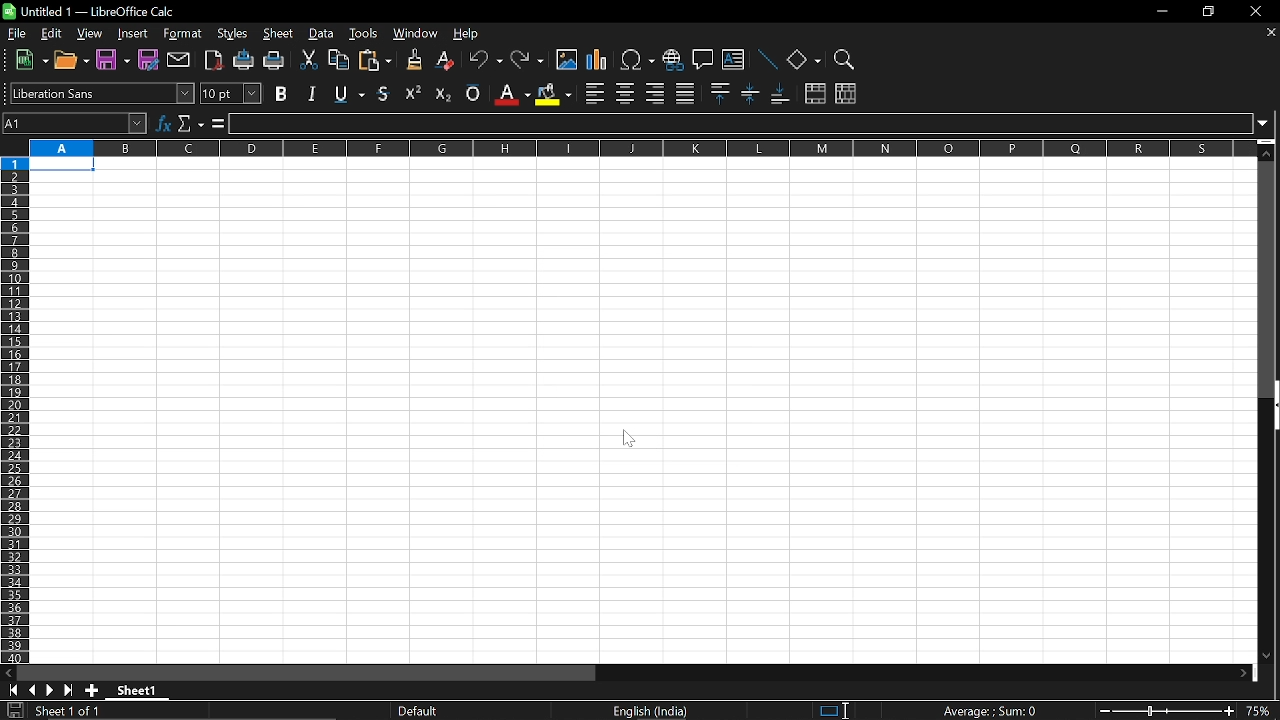 This screenshot has width=1280, height=720. Describe the element at coordinates (652, 711) in the screenshot. I see `current language` at that location.